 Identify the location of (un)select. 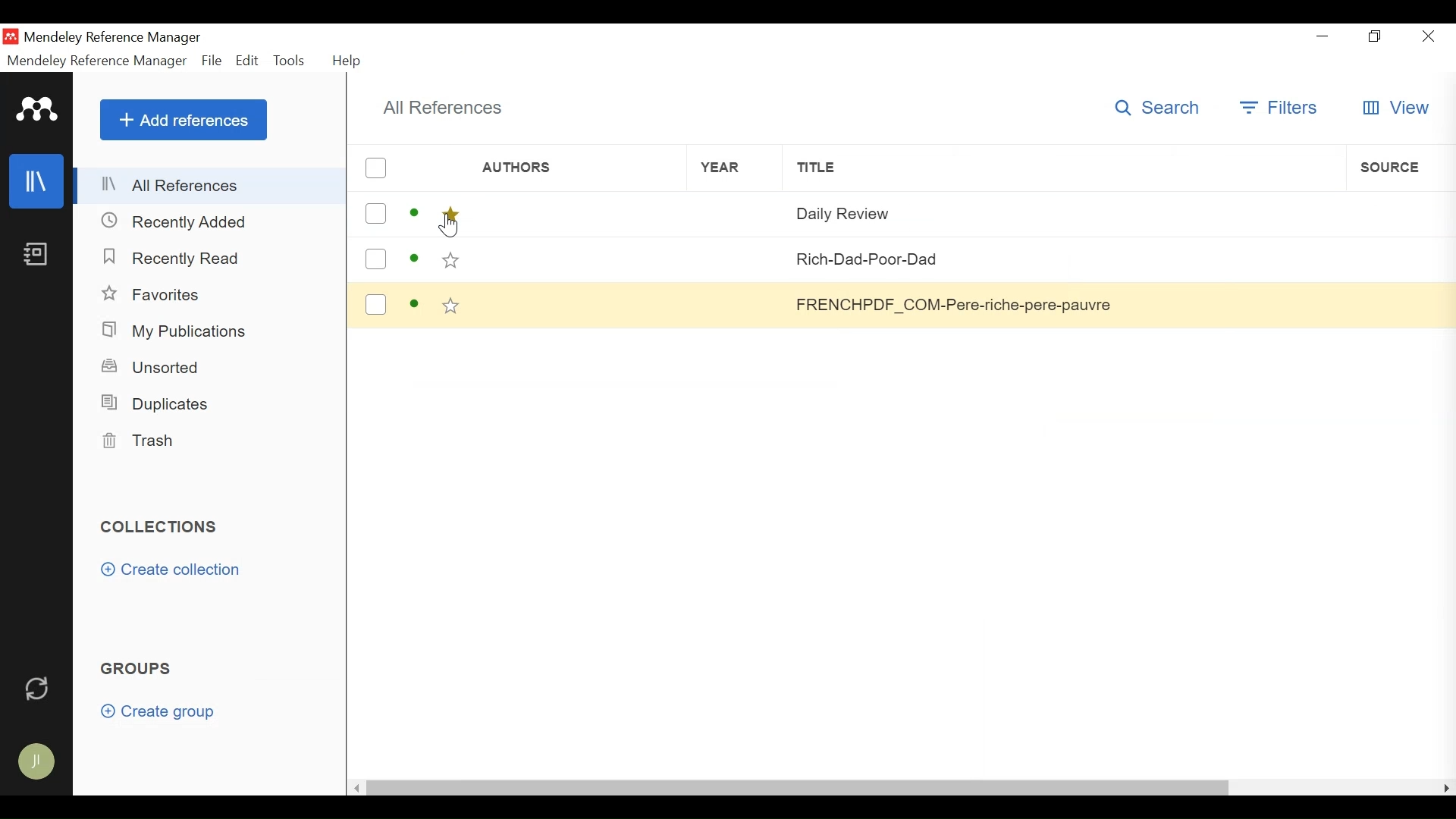
(377, 212).